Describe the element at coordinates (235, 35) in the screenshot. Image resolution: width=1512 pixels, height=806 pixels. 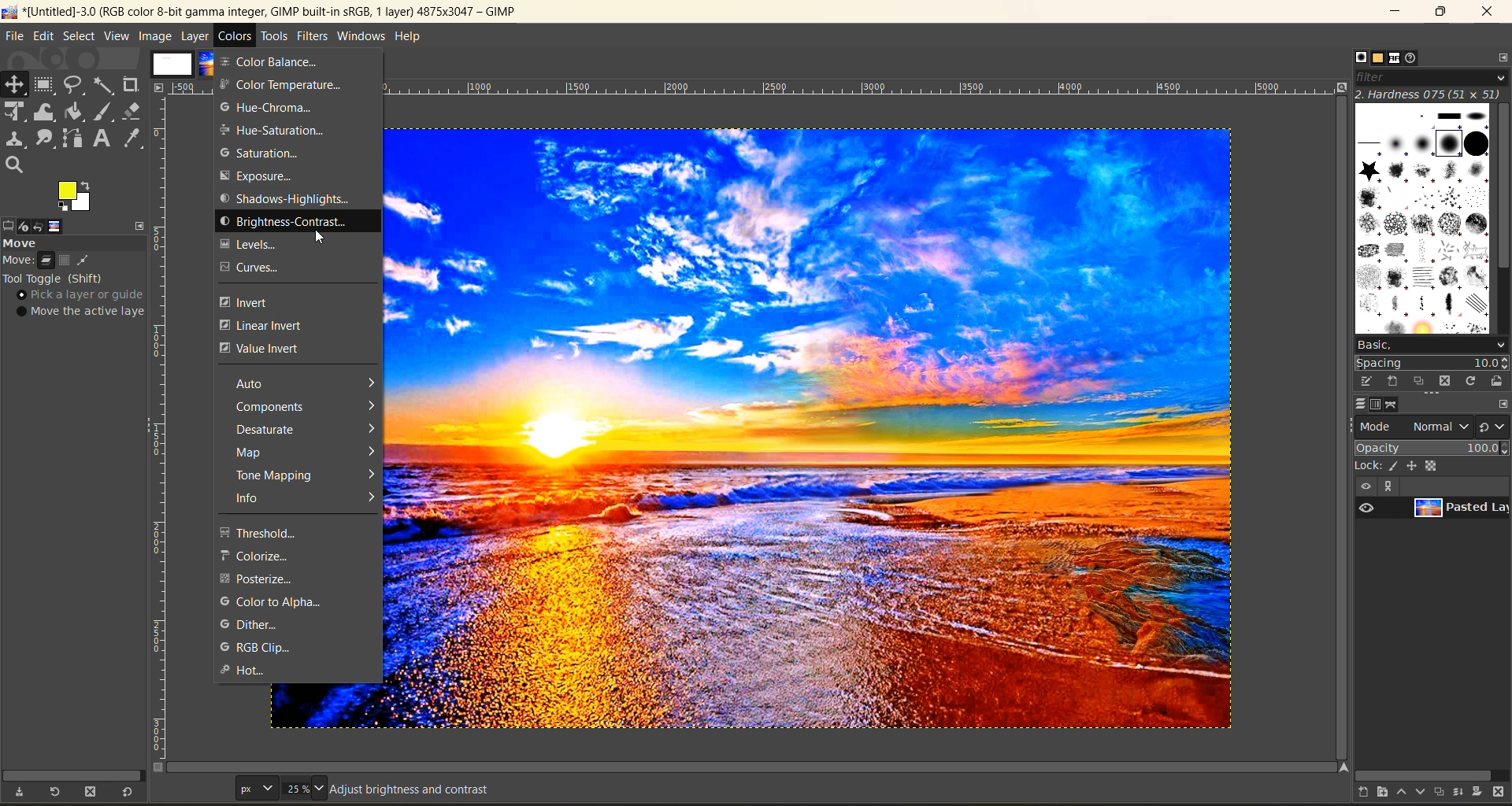
I see `colors` at that location.